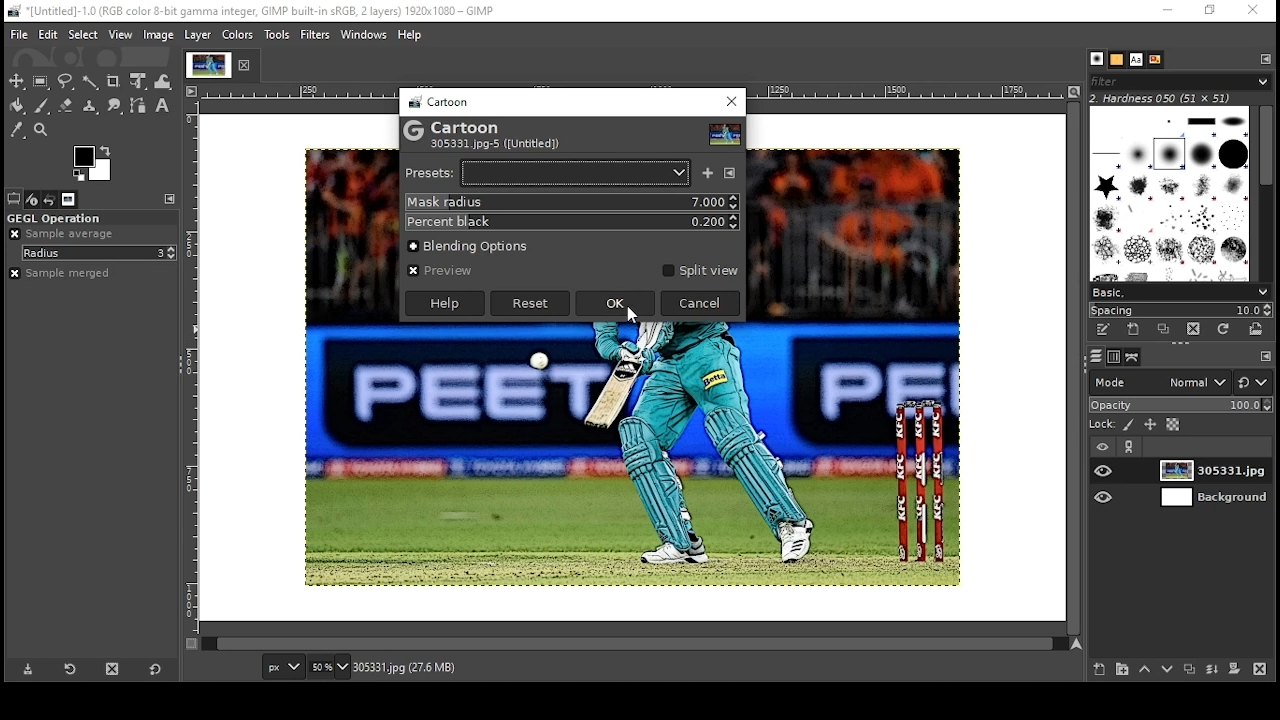 This screenshot has width=1280, height=720. What do you see at coordinates (509, 144) in the screenshot?
I see `305331.jpg-5 ([untitled])` at bounding box center [509, 144].